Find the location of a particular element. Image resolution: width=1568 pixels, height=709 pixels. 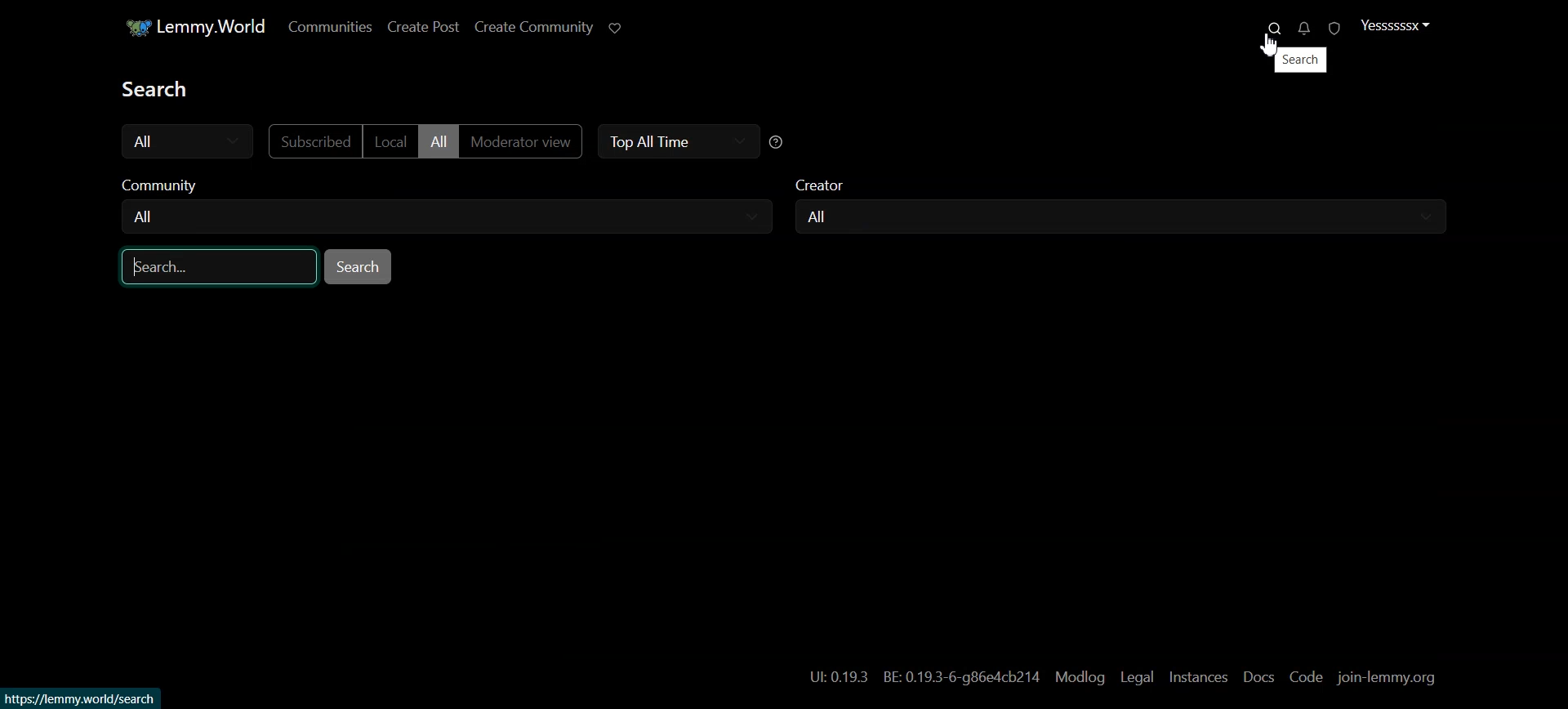

Search is located at coordinates (1266, 29).